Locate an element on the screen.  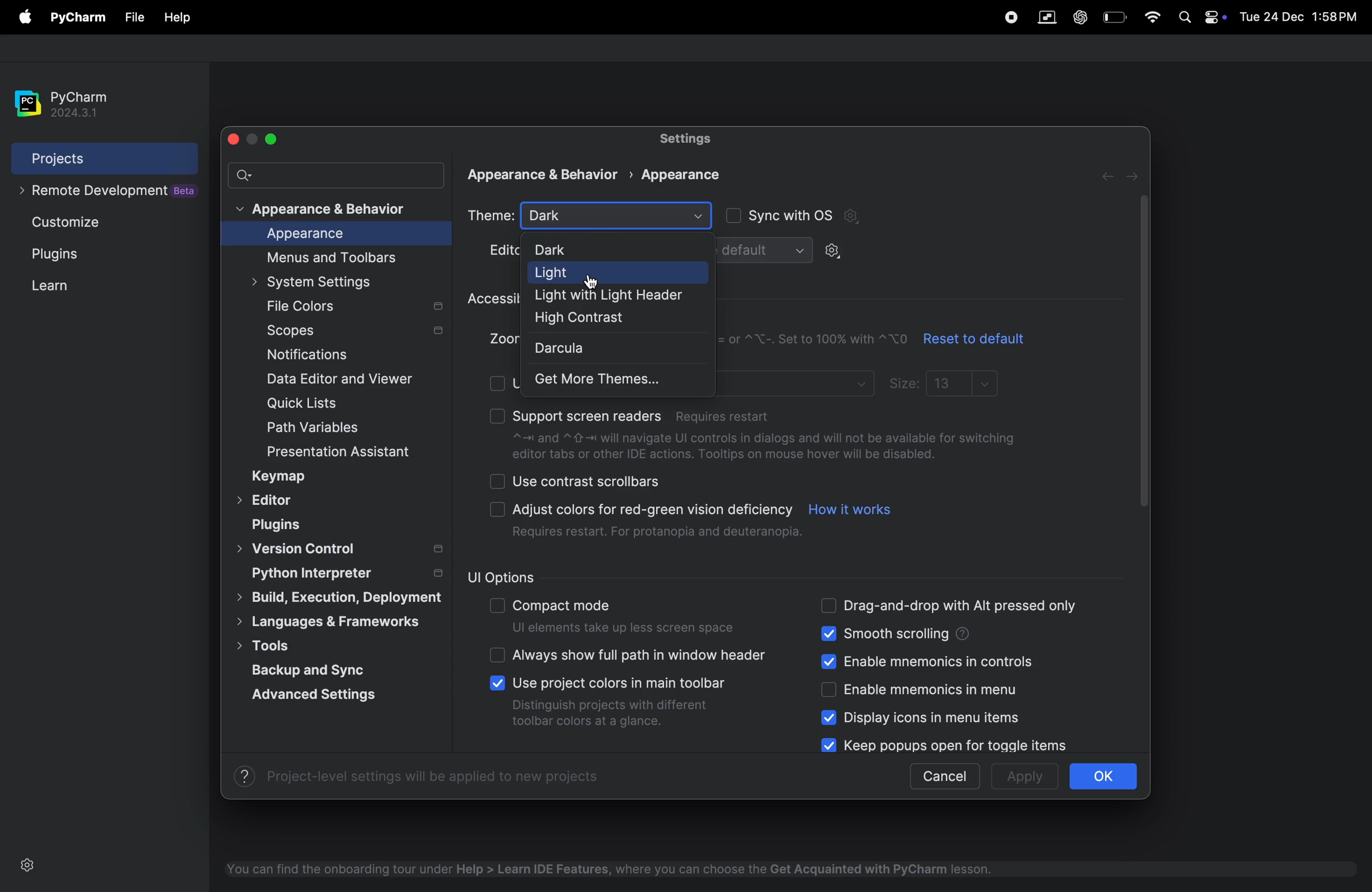
chatgpt is located at coordinates (1081, 14).